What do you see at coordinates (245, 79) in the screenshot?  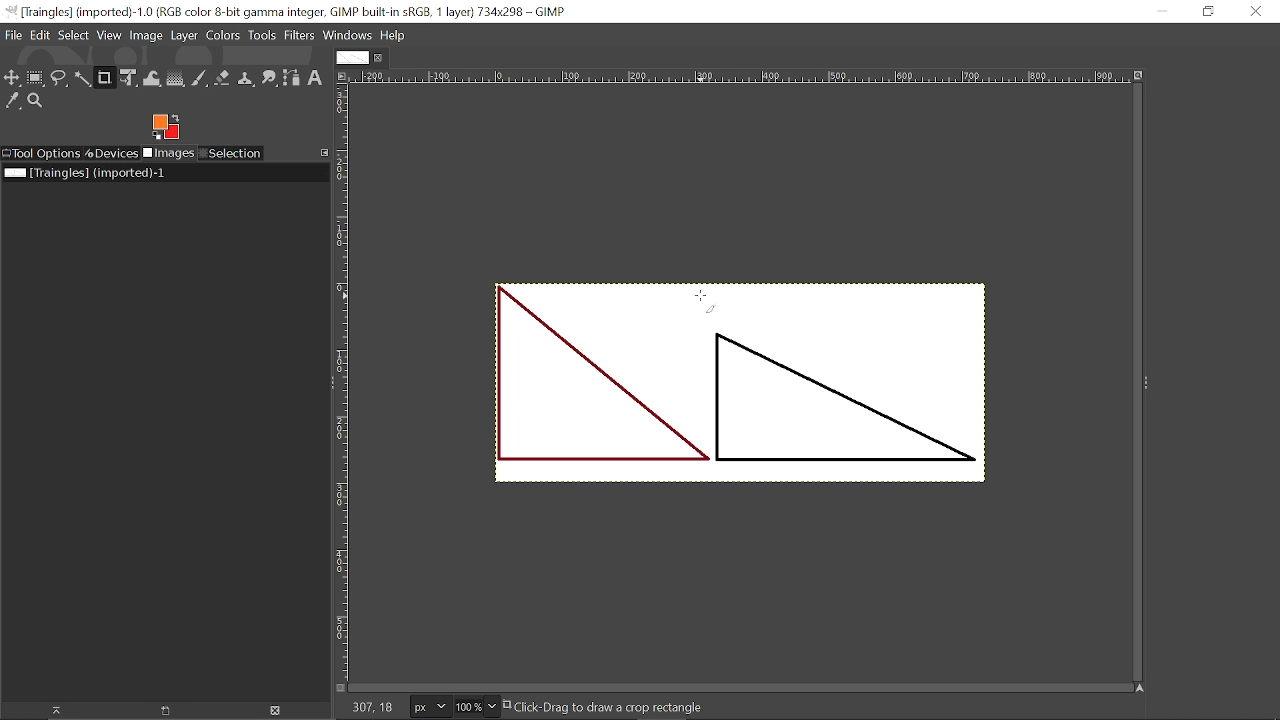 I see `clone tool ` at bounding box center [245, 79].